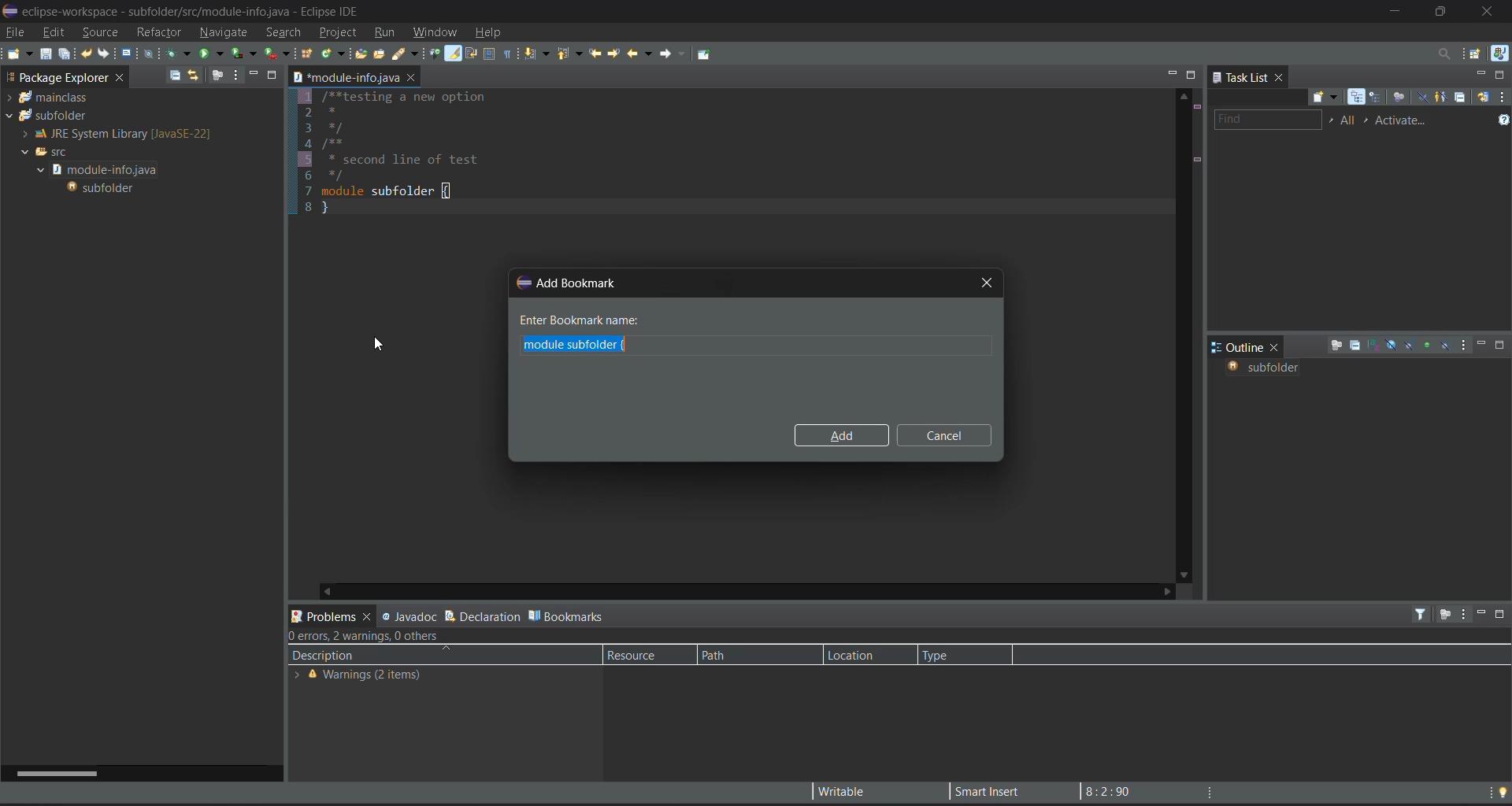 The image size is (1512, 806). What do you see at coordinates (1460, 97) in the screenshot?
I see `collapse all` at bounding box center [1460, 97].